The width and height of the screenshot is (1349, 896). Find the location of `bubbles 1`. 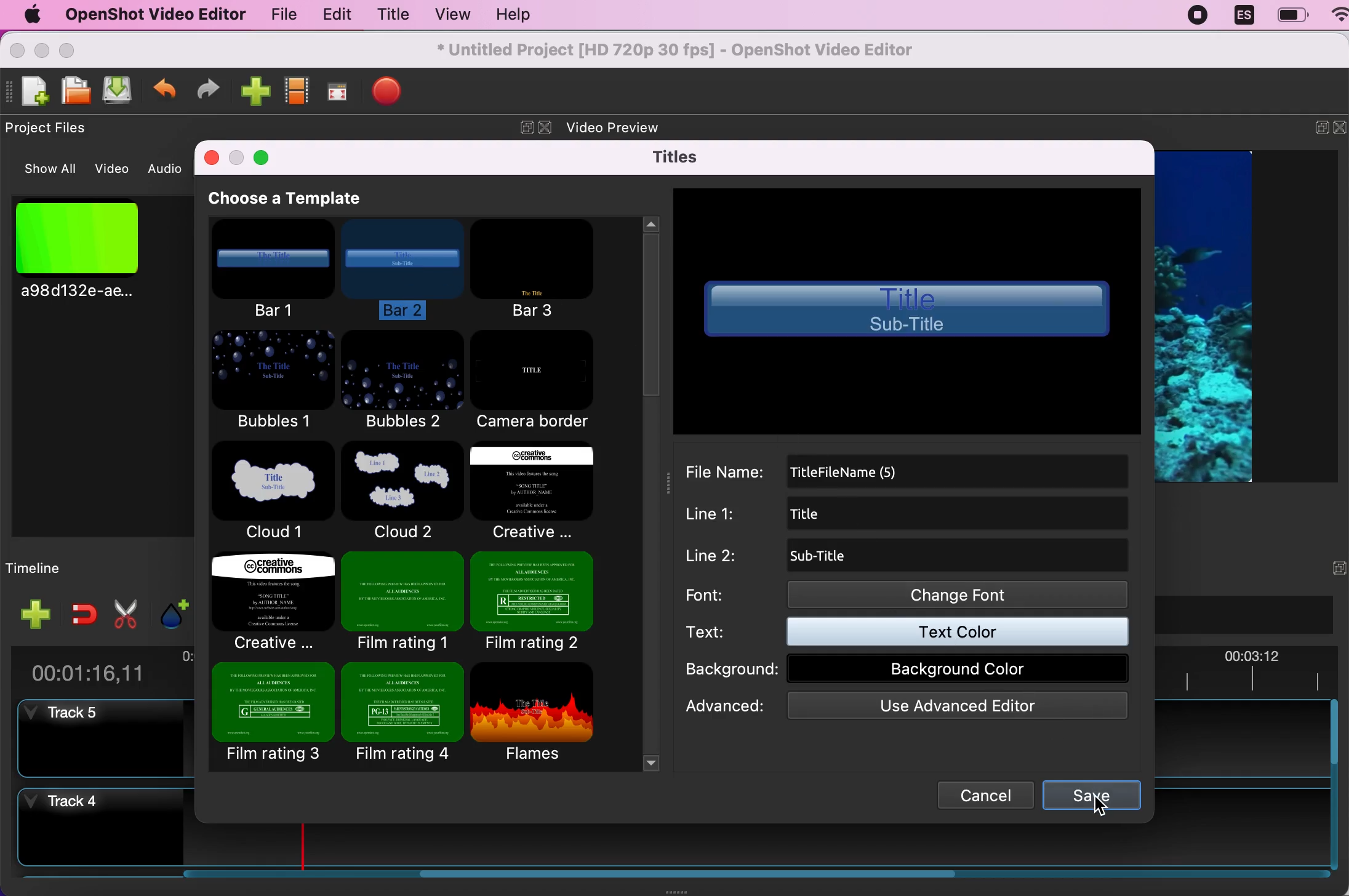

bubbles 1 is located at coordinates (270, 381).